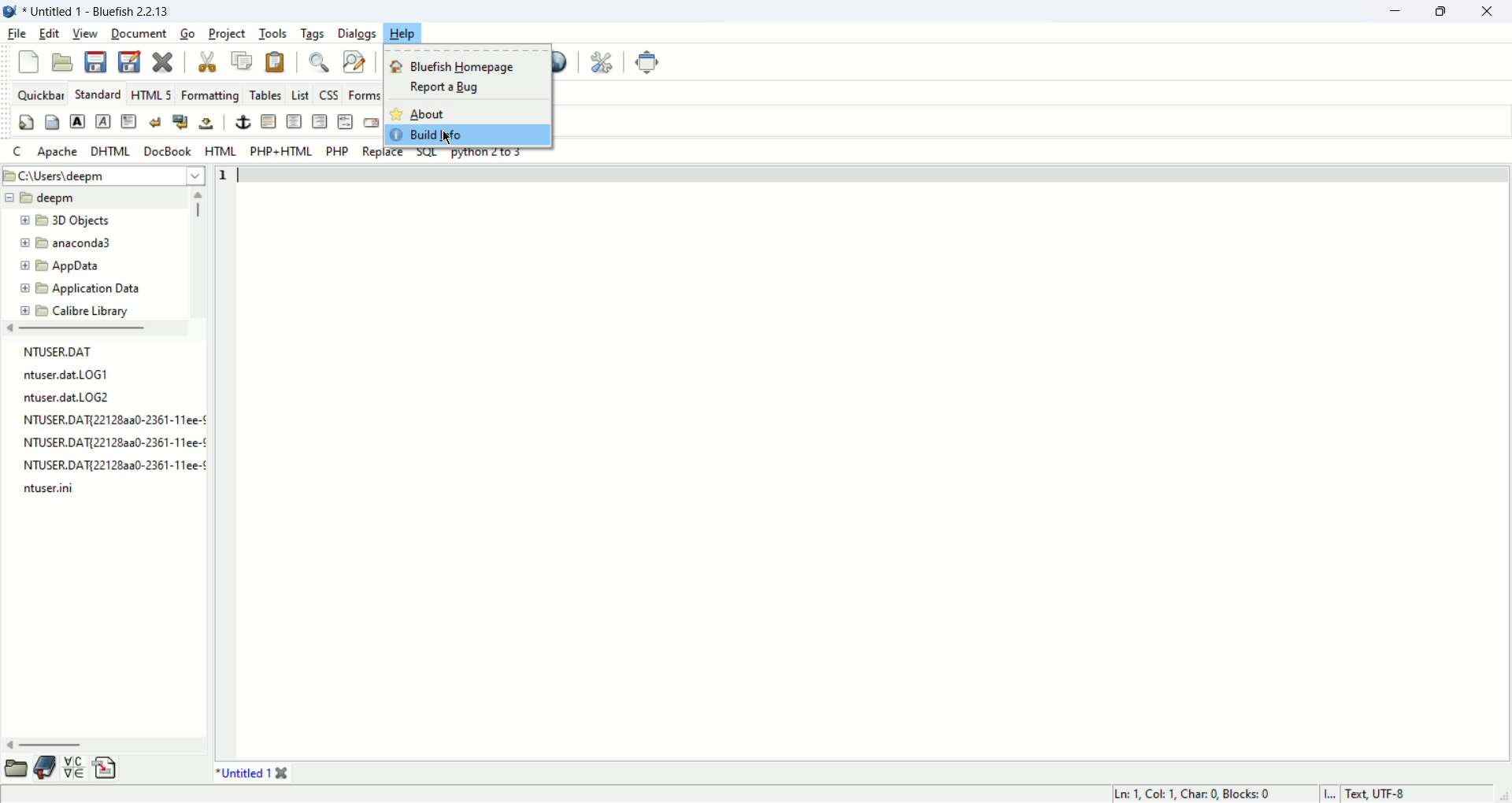 The height and width of the screenshot is (803, 1512). I want to click on cursor position, so click(1191, 794).